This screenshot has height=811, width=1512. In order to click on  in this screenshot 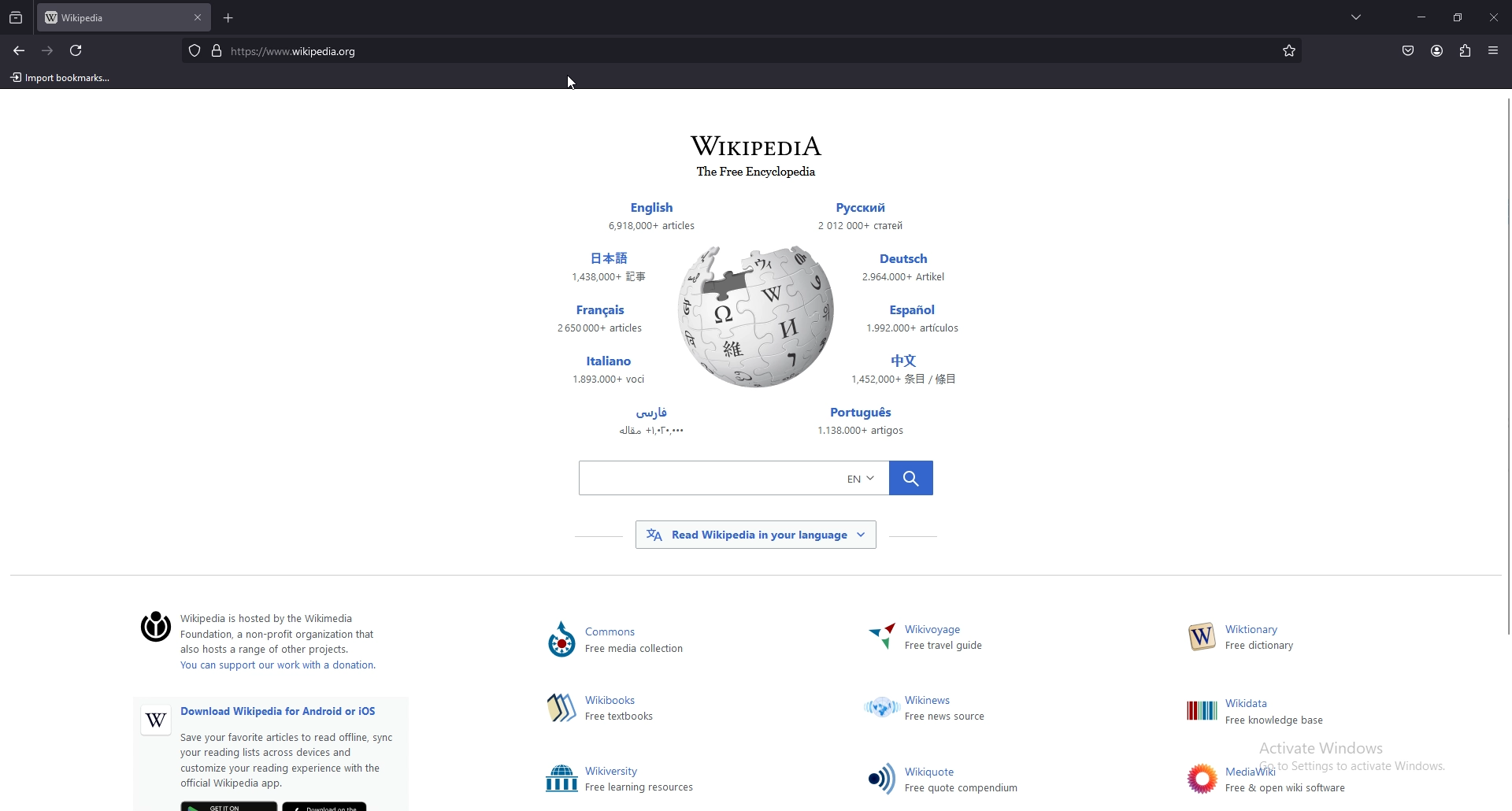, I will do `click(756, 317)`.